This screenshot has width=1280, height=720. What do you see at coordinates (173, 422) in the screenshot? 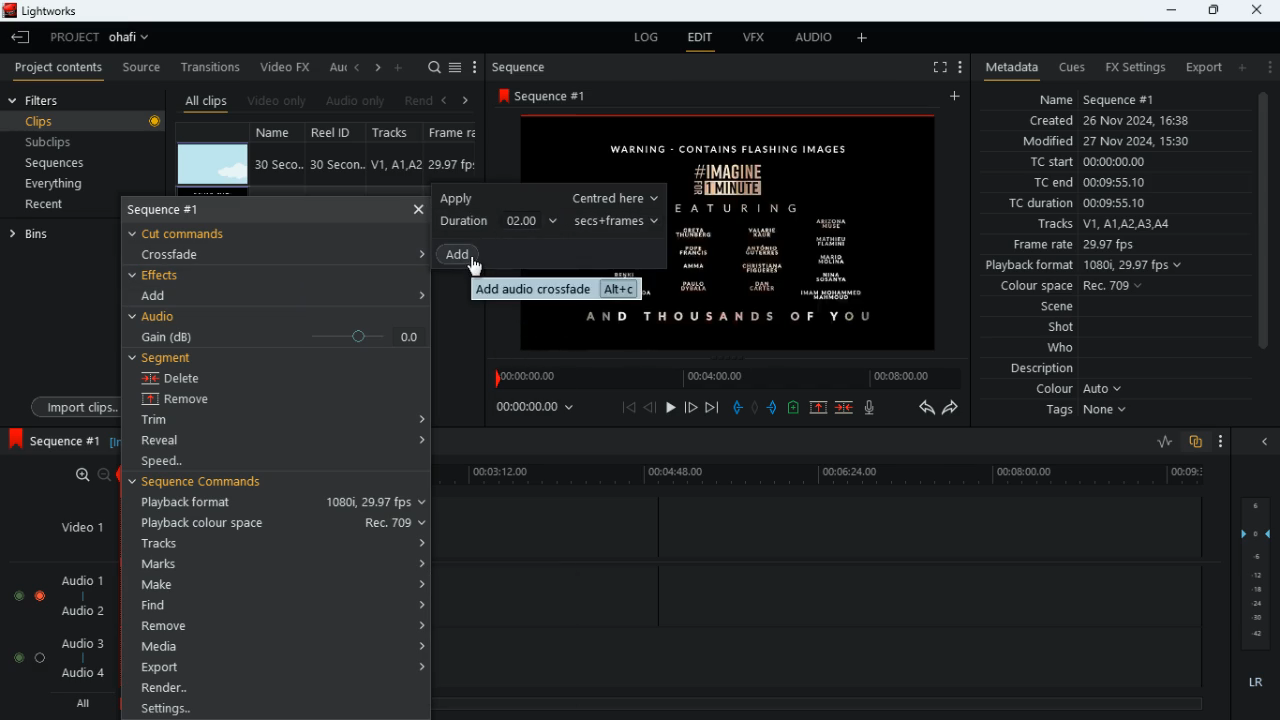
I see `trim` at bounding box center [173, 422].